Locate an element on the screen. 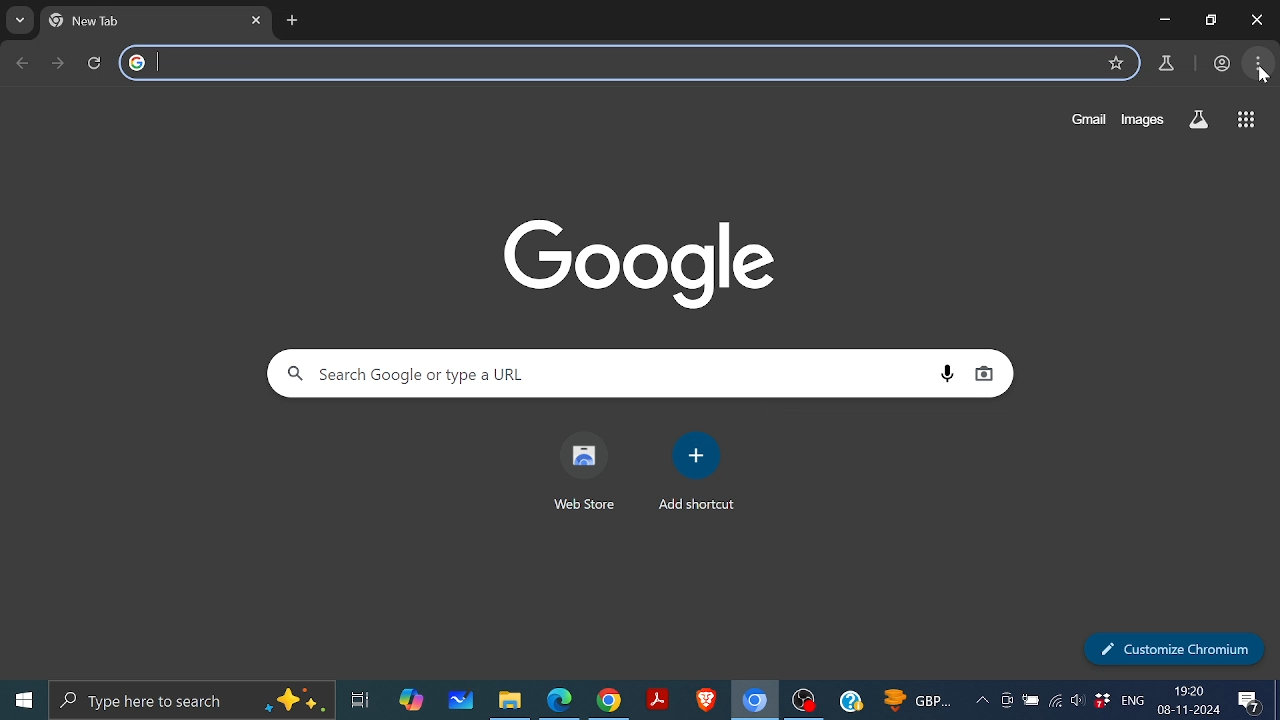 Image resolution: width=1280 pixels, height=720 pixels. Dropbox is located at coordinates (1103, 703).